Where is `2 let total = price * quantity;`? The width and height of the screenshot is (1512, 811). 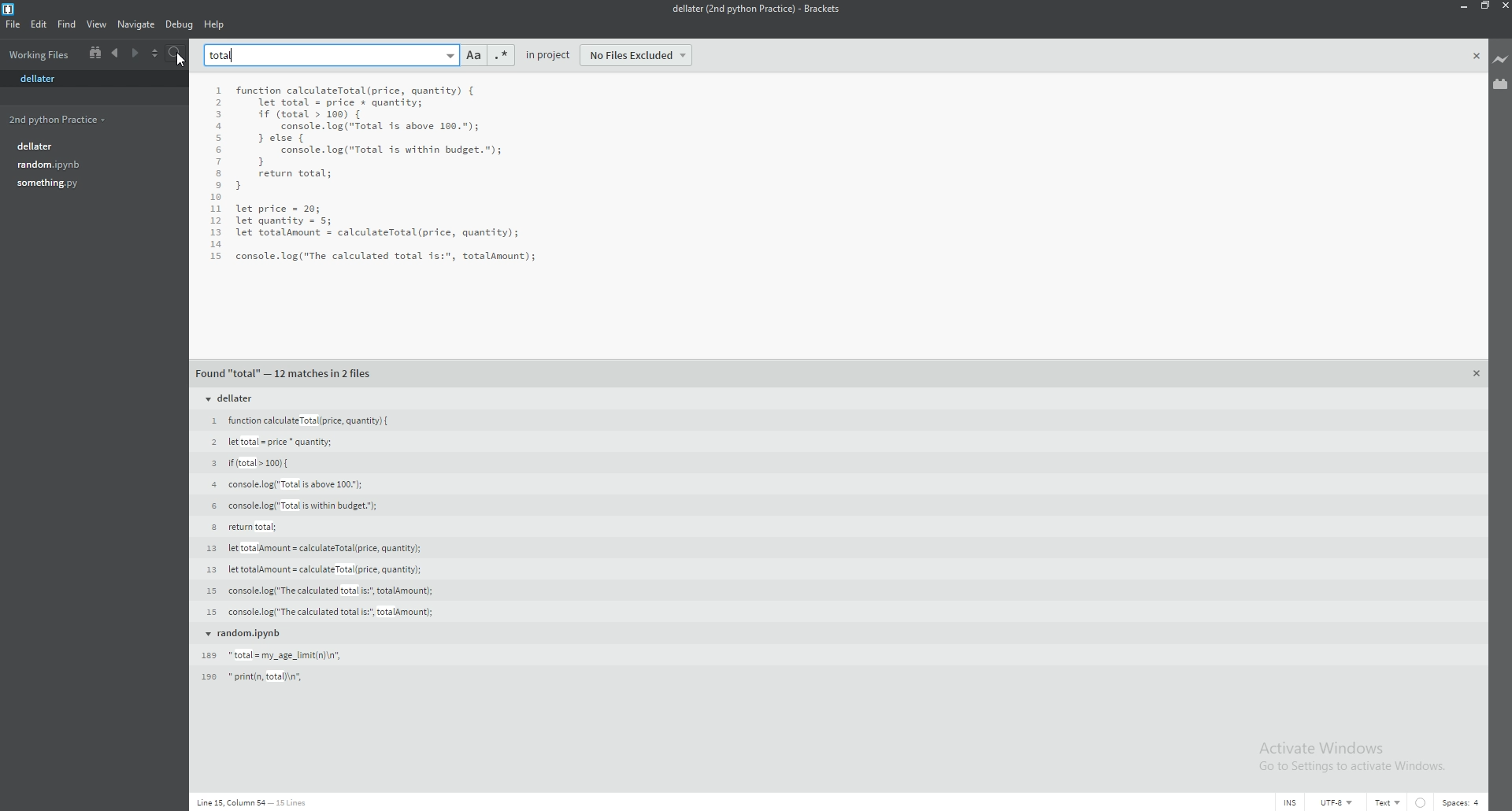 2 let total = price * quantity; is located at coordinates (269, 441).